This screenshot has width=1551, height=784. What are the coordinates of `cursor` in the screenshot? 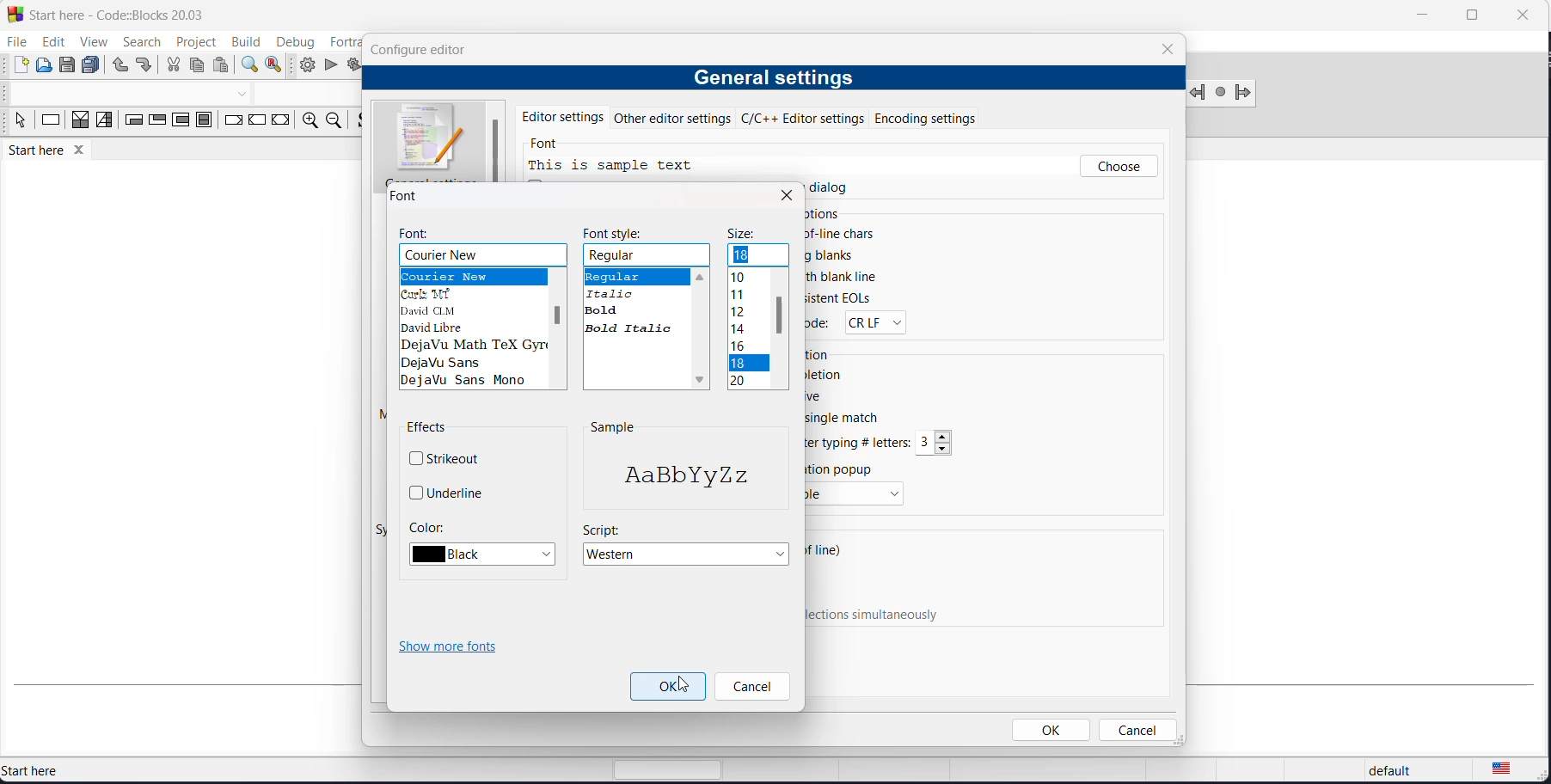 It's located at (1100, 171).